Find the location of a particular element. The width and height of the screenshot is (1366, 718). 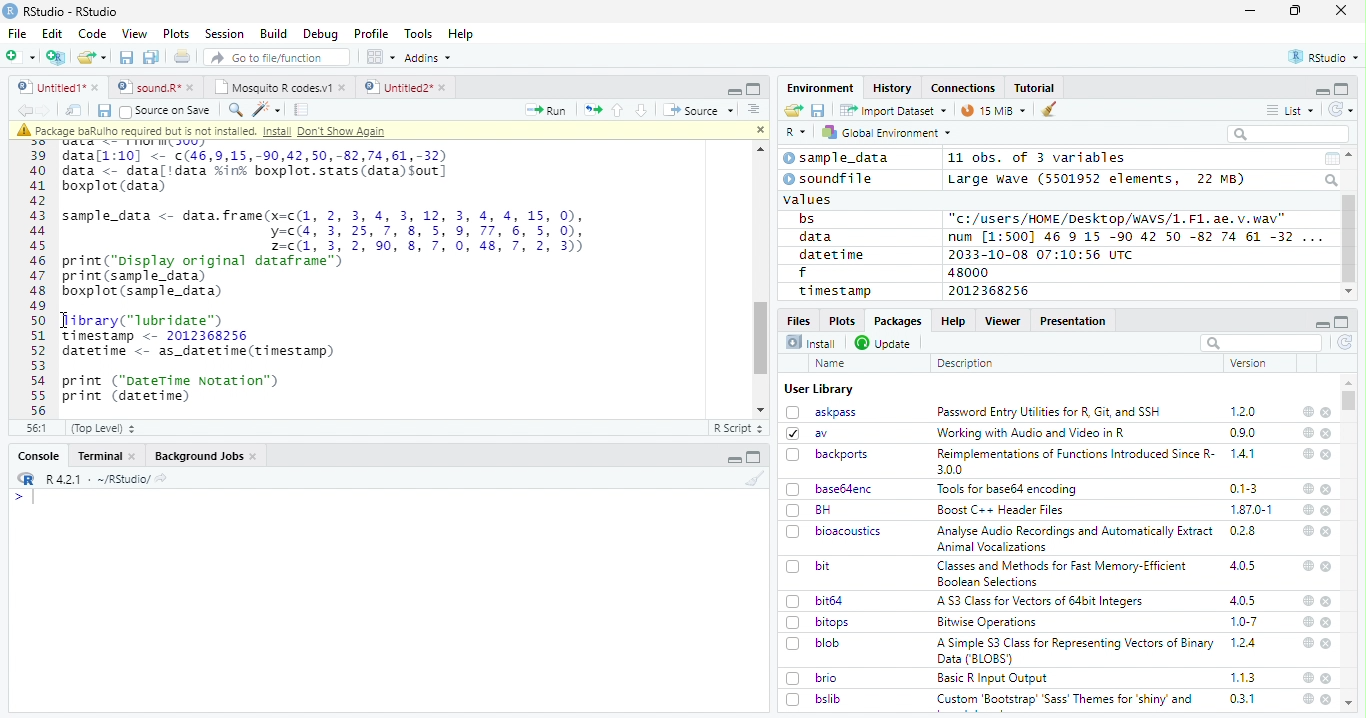

Plots is located at coordinates (841, 320).